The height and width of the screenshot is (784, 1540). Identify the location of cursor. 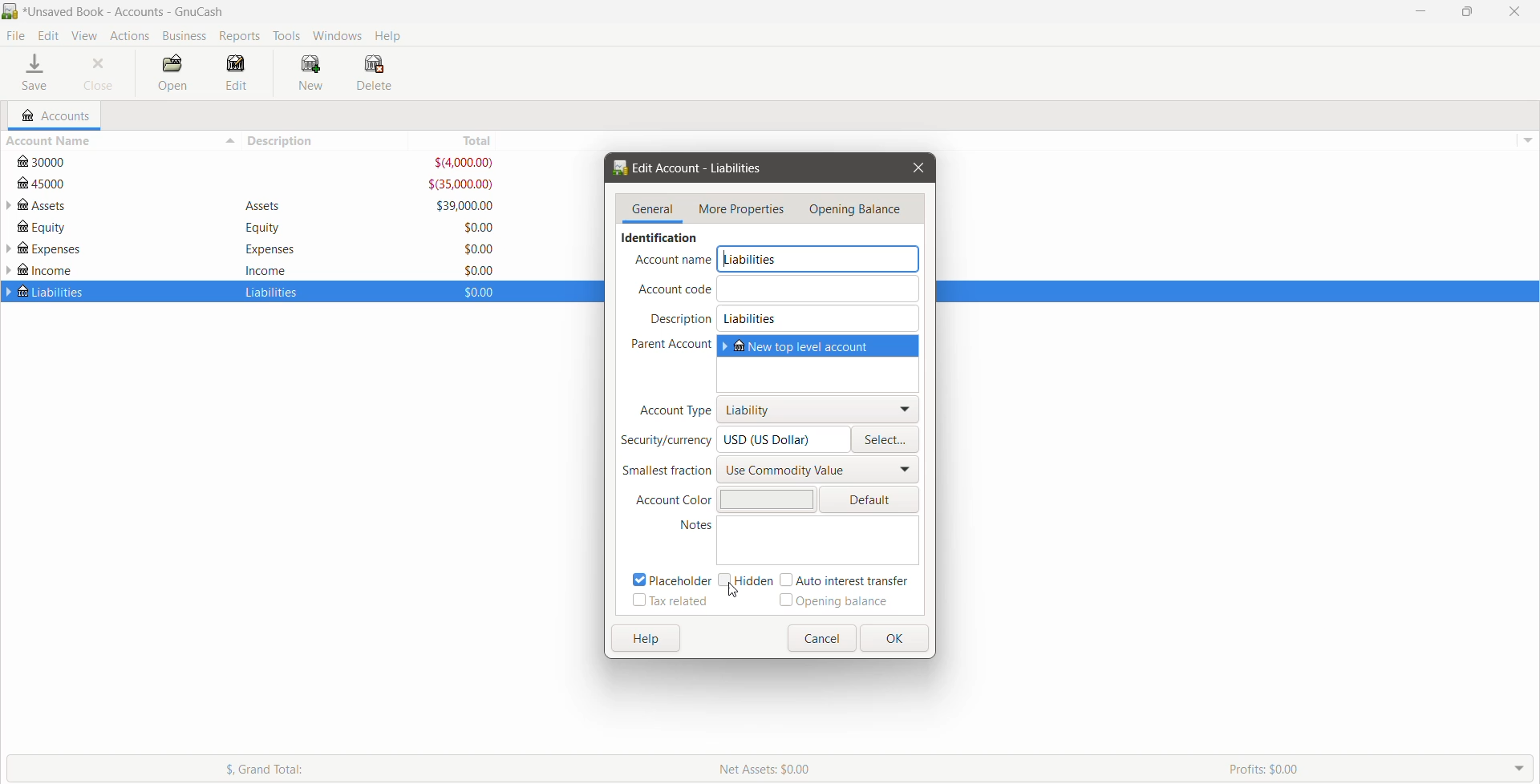
(731, 591).